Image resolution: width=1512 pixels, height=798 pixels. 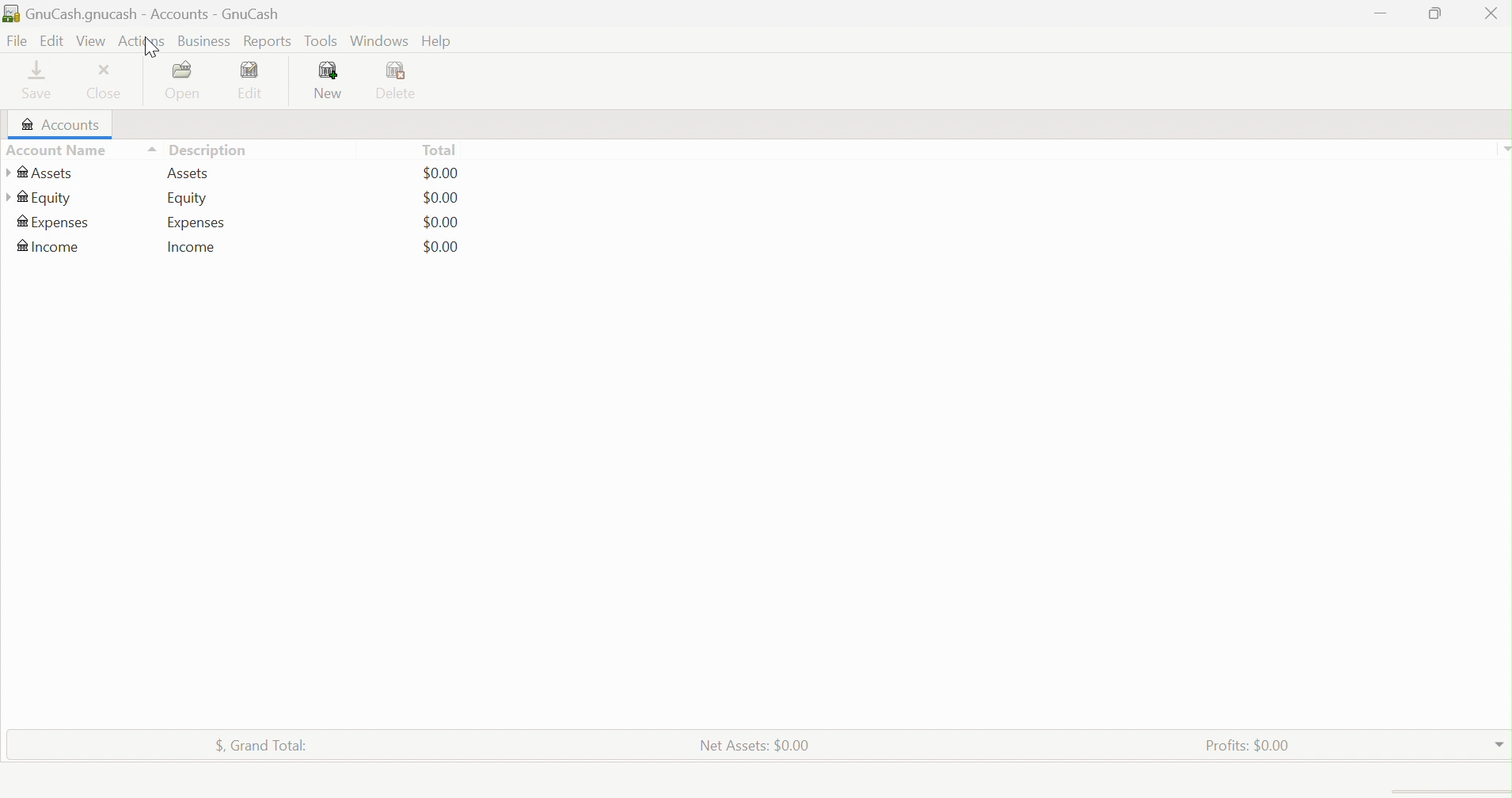 I want to click on $0.00, so click(x=441, y=173).